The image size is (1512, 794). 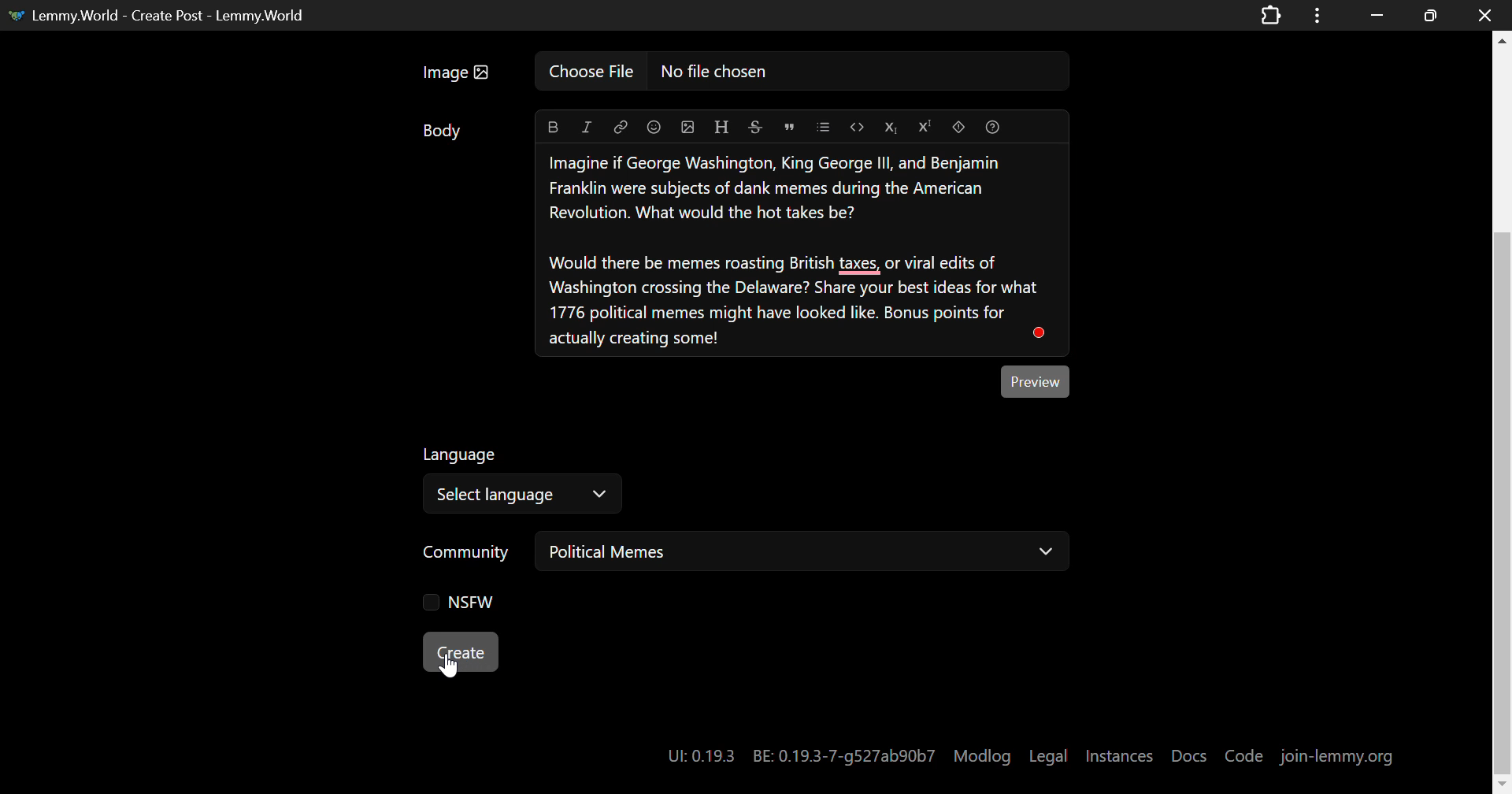 I want to click on Select Post Language, so click(x=528, y=480).